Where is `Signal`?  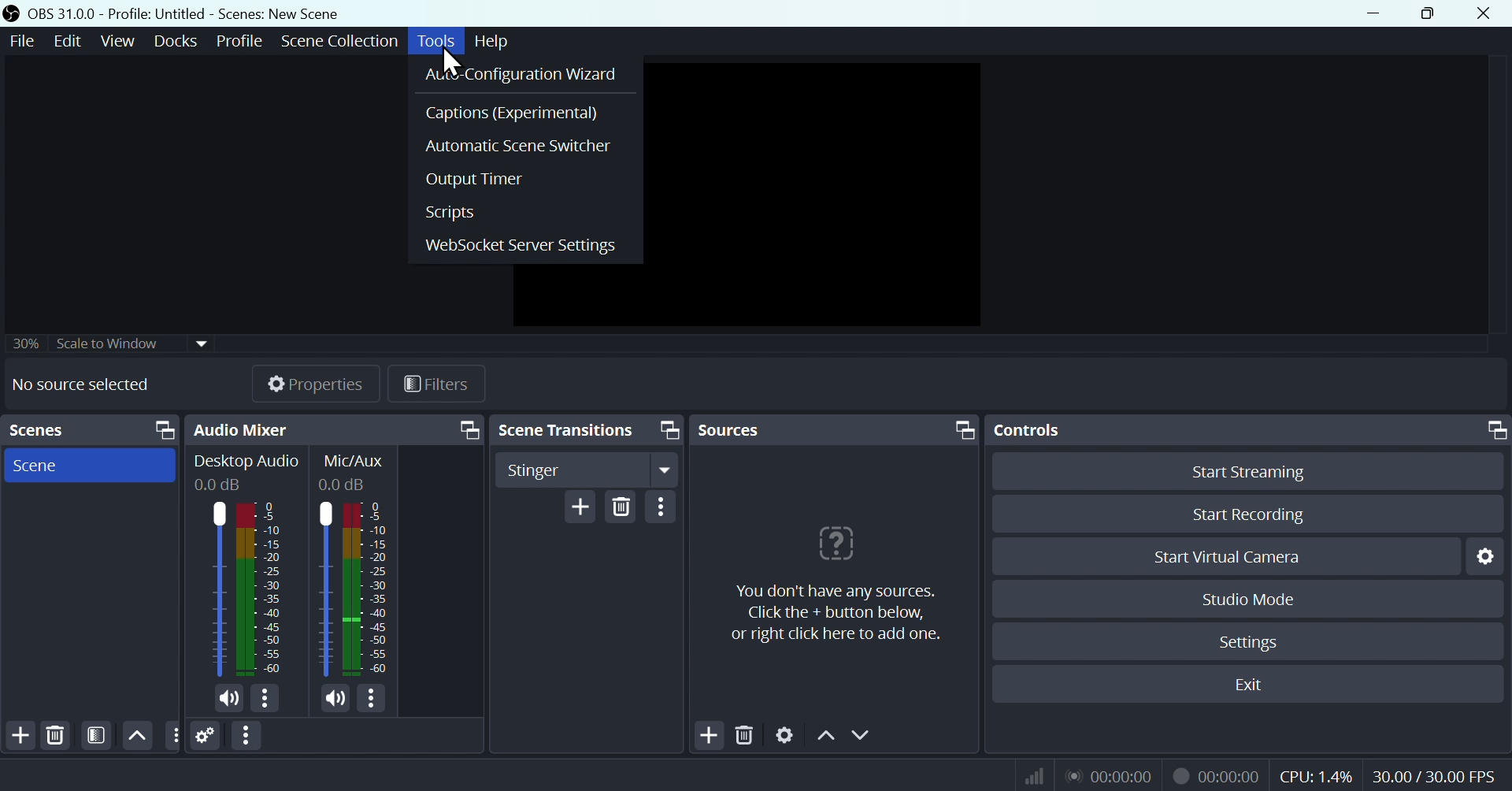 Signal is located at coordinates (1028, 775).